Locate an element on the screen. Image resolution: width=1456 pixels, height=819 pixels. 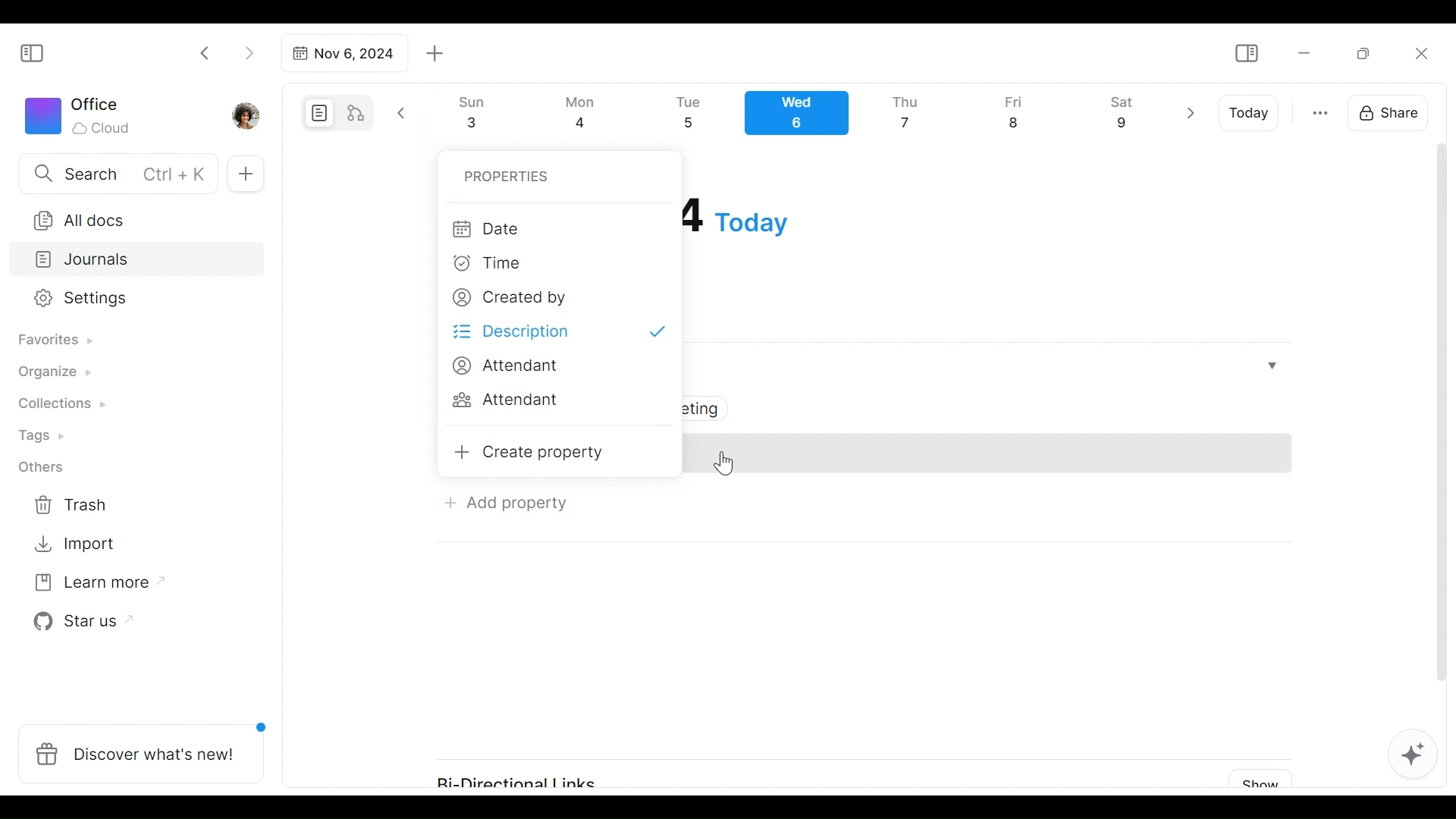
Star us is located at coordinates (79, 622).